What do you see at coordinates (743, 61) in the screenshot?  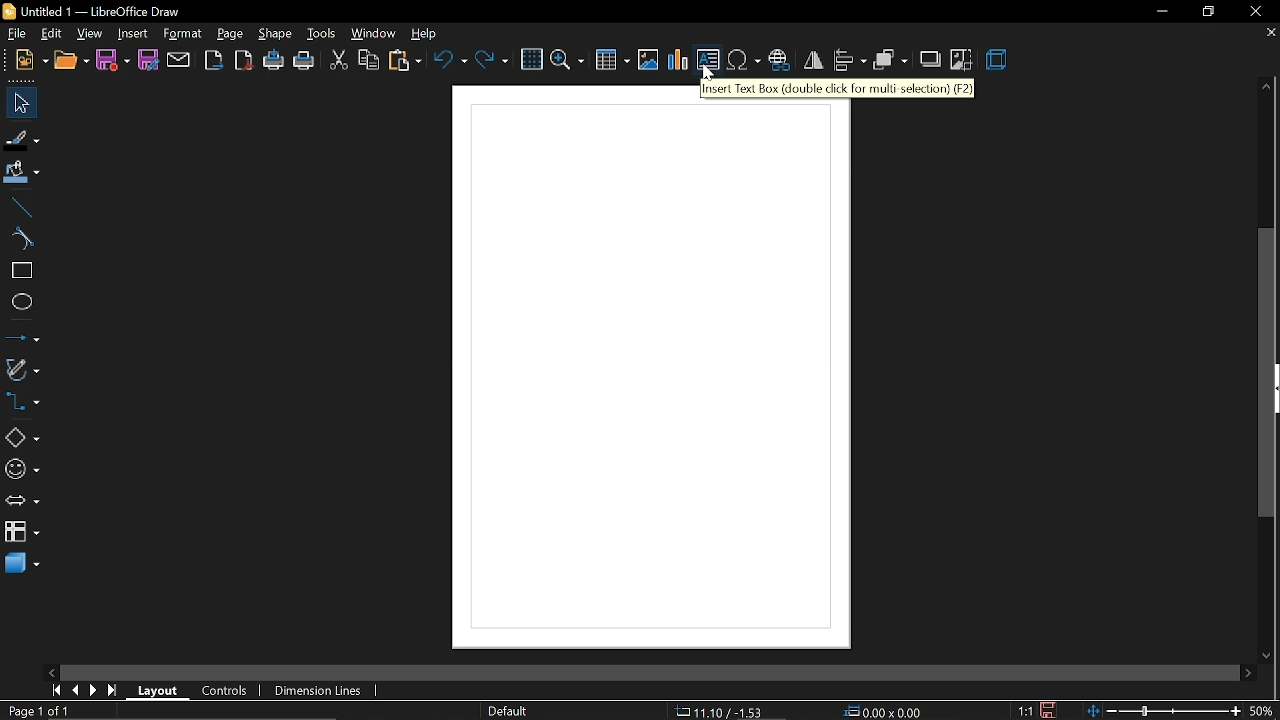 I see `insert symbol` at bounding box center [743, 61].